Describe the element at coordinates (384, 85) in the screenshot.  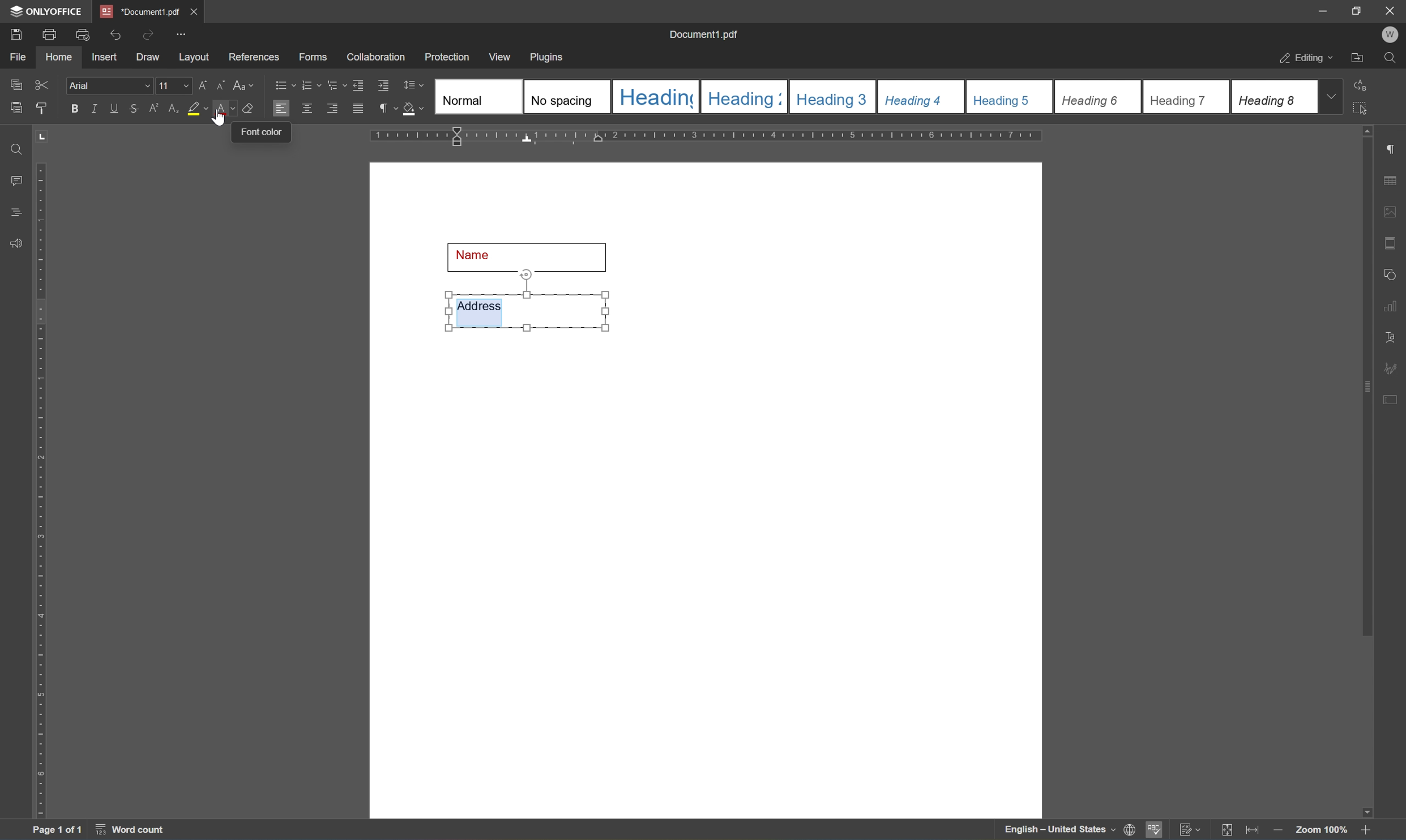
I see `increase indent` at that location.